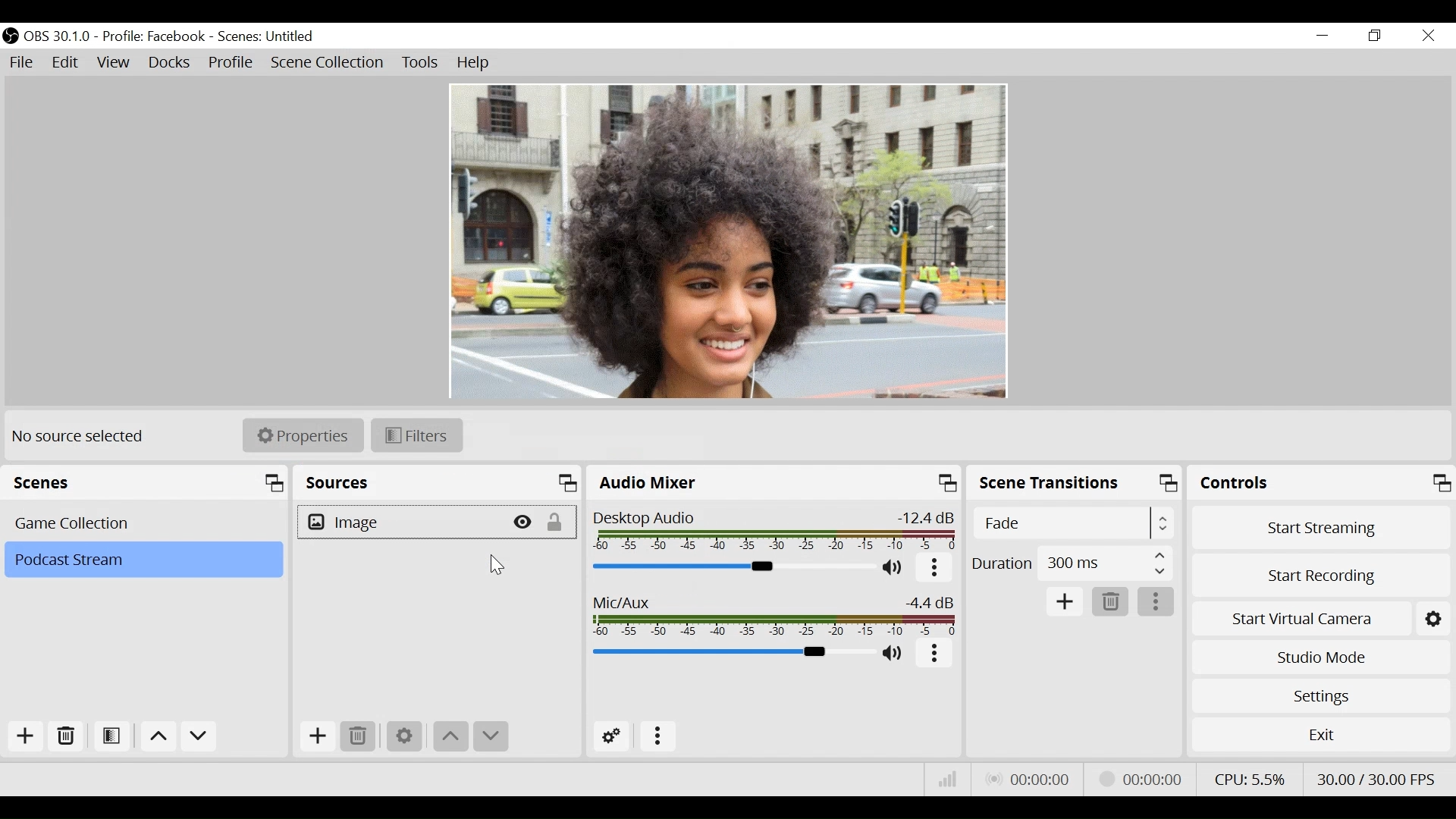 The width and height of the screenshot is (1456, 819). What do you see at coordinates (948, 779) in the screenshot?
I see `Bitrate` at bounding box center [948, 779].